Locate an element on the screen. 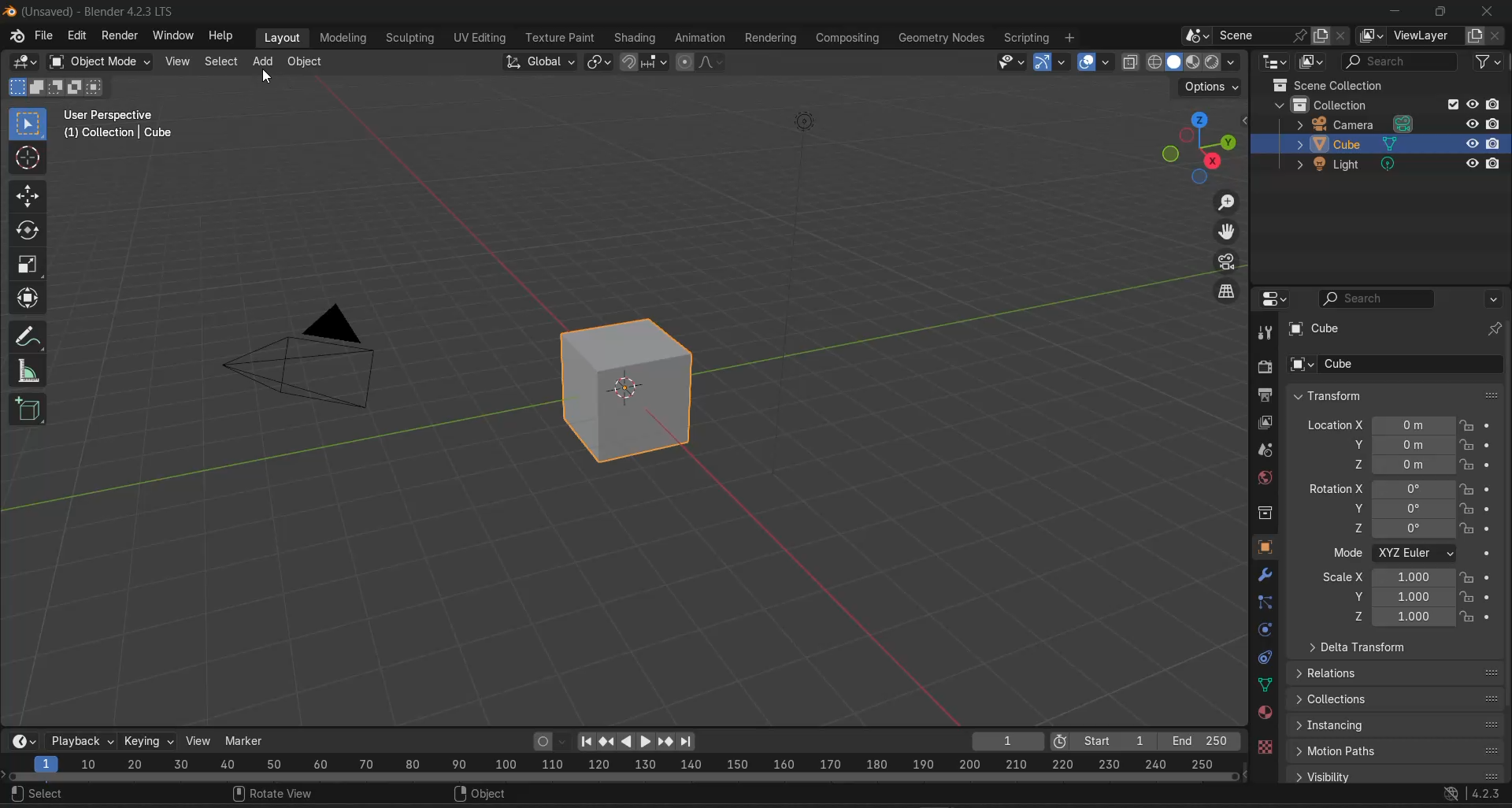  scale z is located at coordinates (1401, 617).